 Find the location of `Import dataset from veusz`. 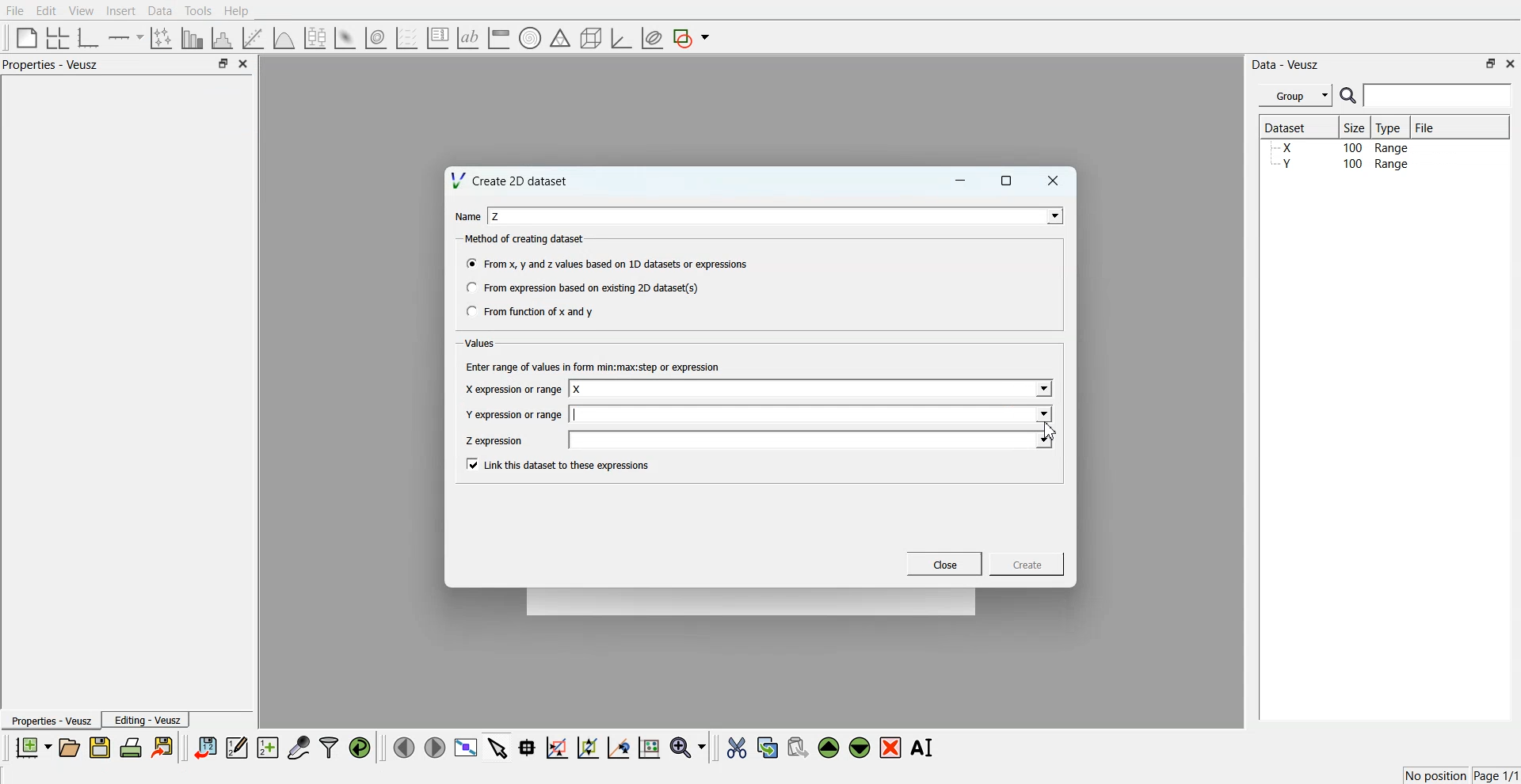

Import dataset from veusz is located at coordinates (205, 747).